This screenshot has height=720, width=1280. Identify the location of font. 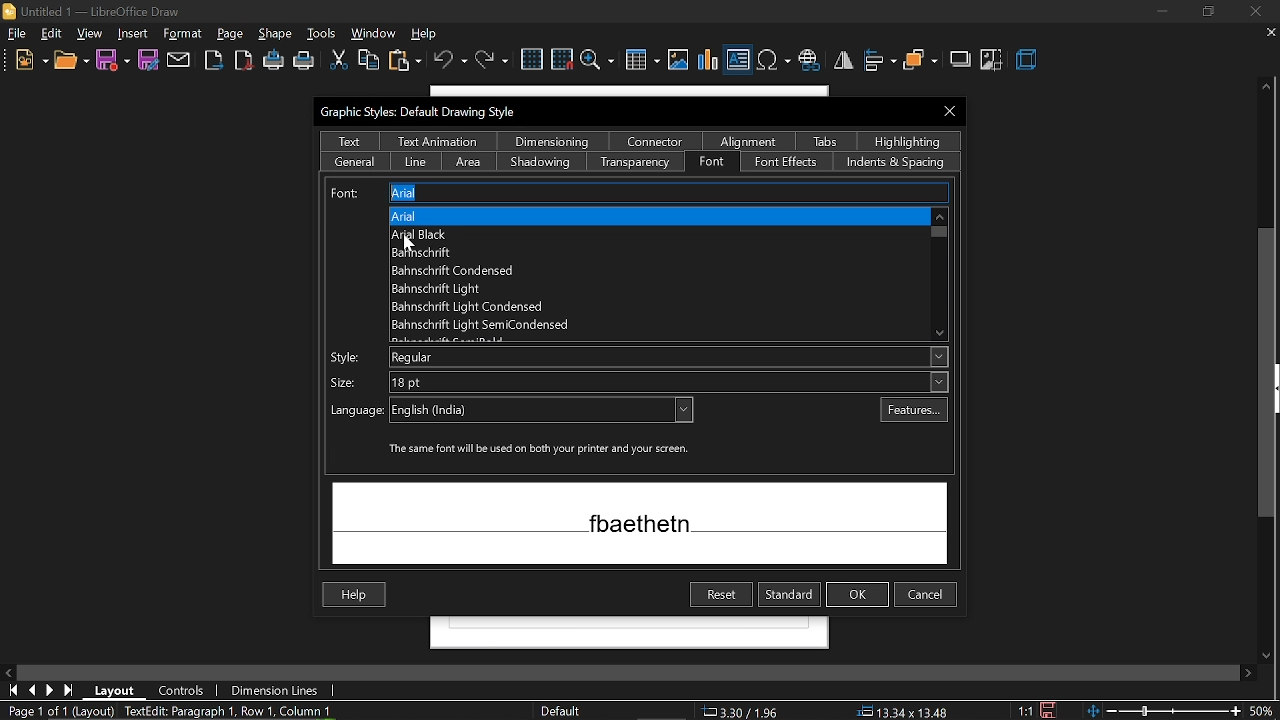
(712, 163).